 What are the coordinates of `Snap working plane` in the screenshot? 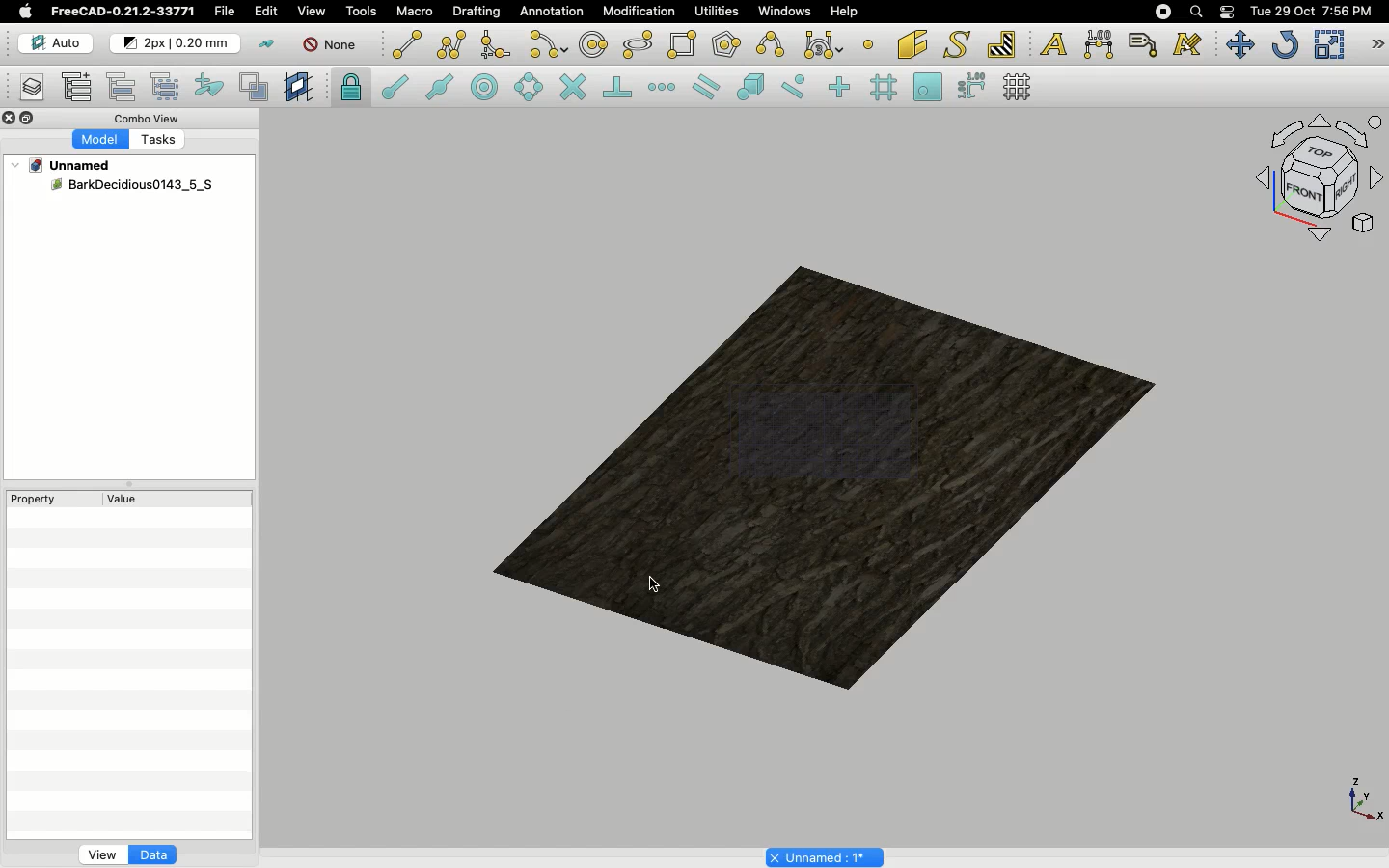 It's located at (928, 89).